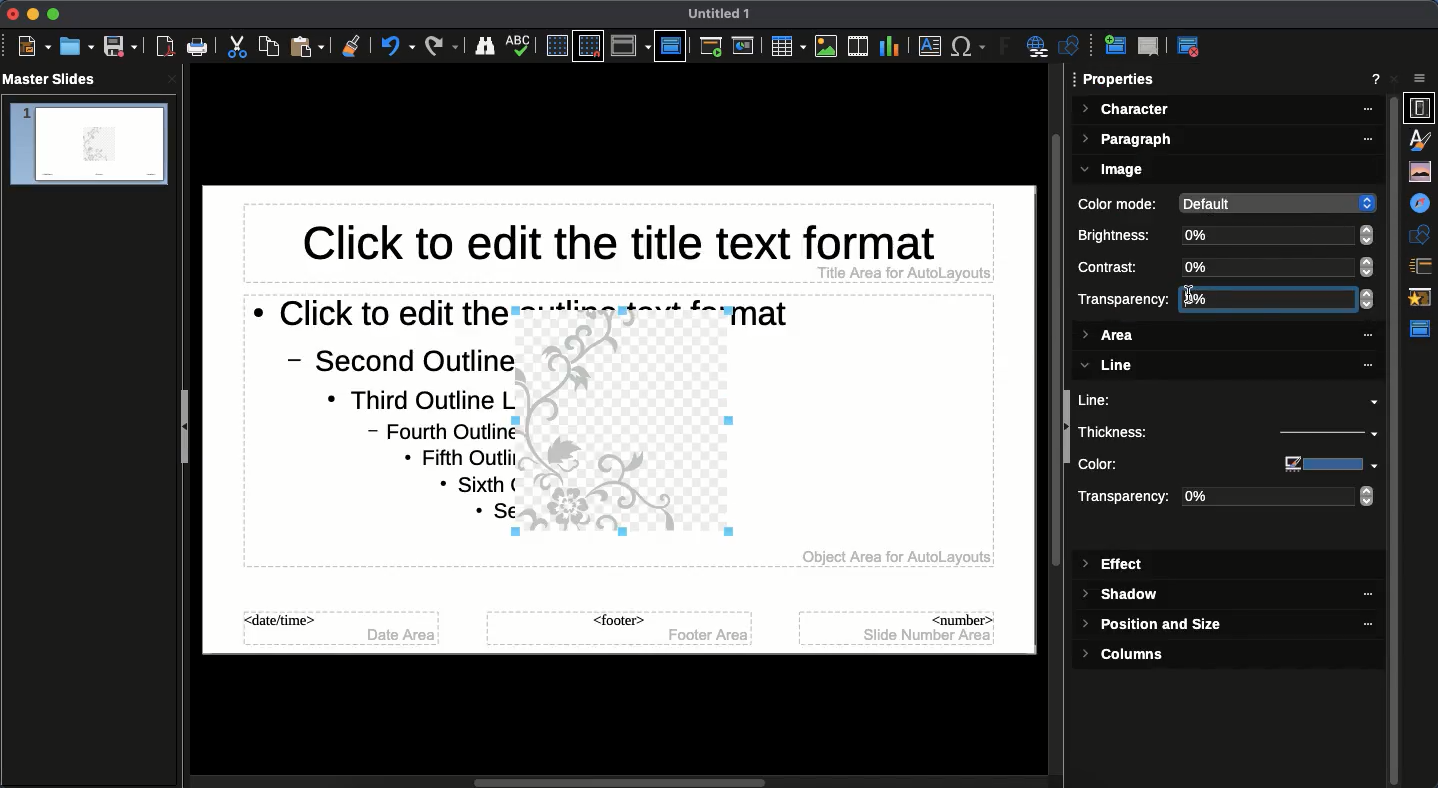  What do you see at coordinates (362, 426) in the screenshot?
I see `Master slide text` at bounding box center [362, 426].